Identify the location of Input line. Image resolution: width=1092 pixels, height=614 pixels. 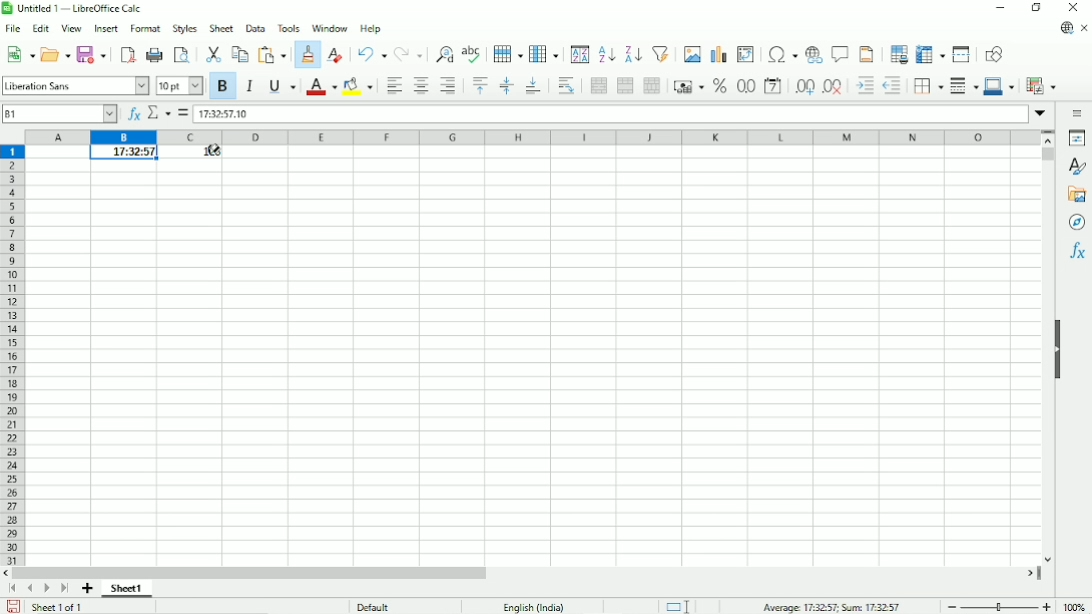
(610, 114).